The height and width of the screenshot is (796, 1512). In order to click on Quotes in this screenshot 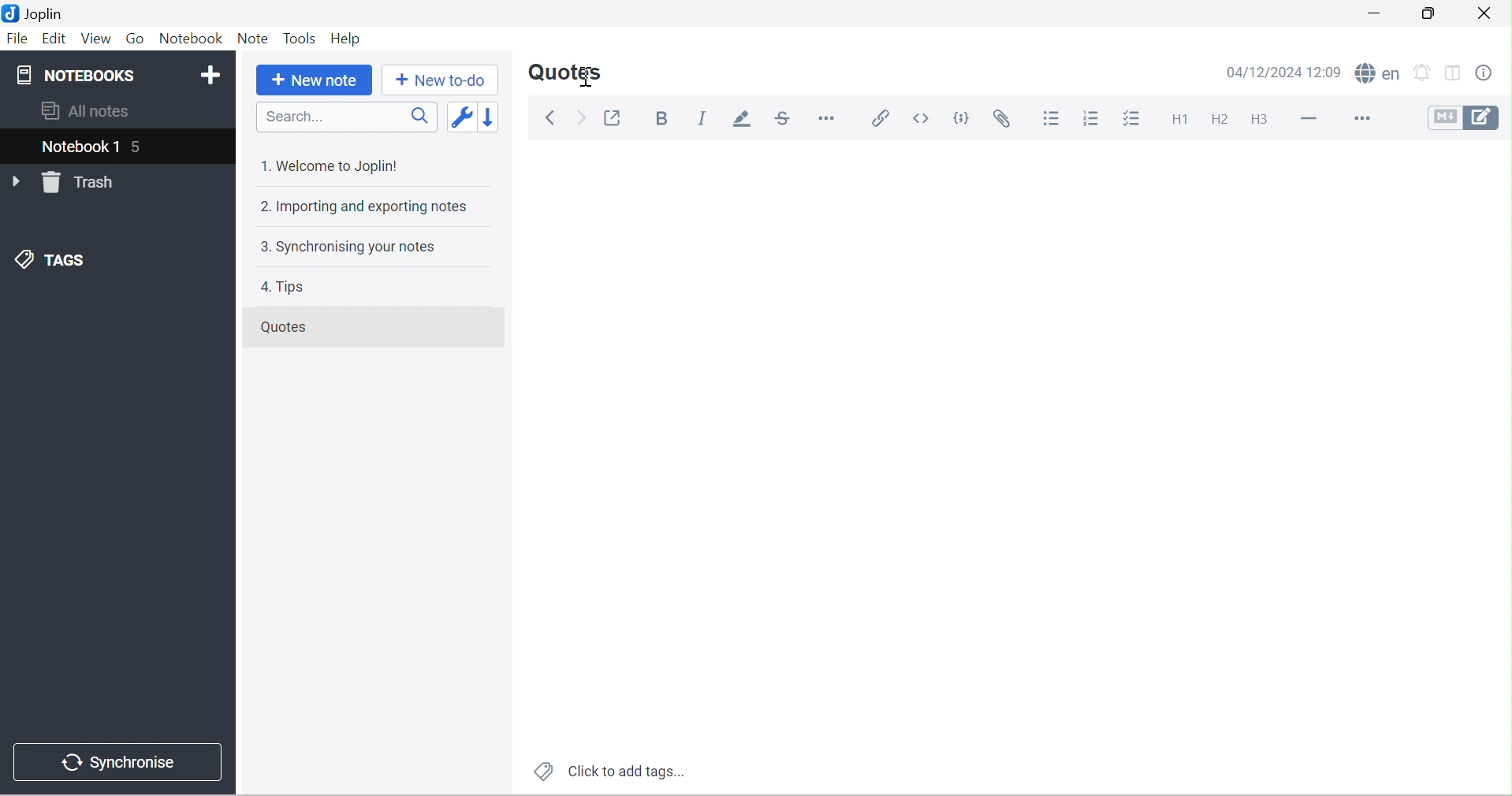, I will do `click(283, 326)`.